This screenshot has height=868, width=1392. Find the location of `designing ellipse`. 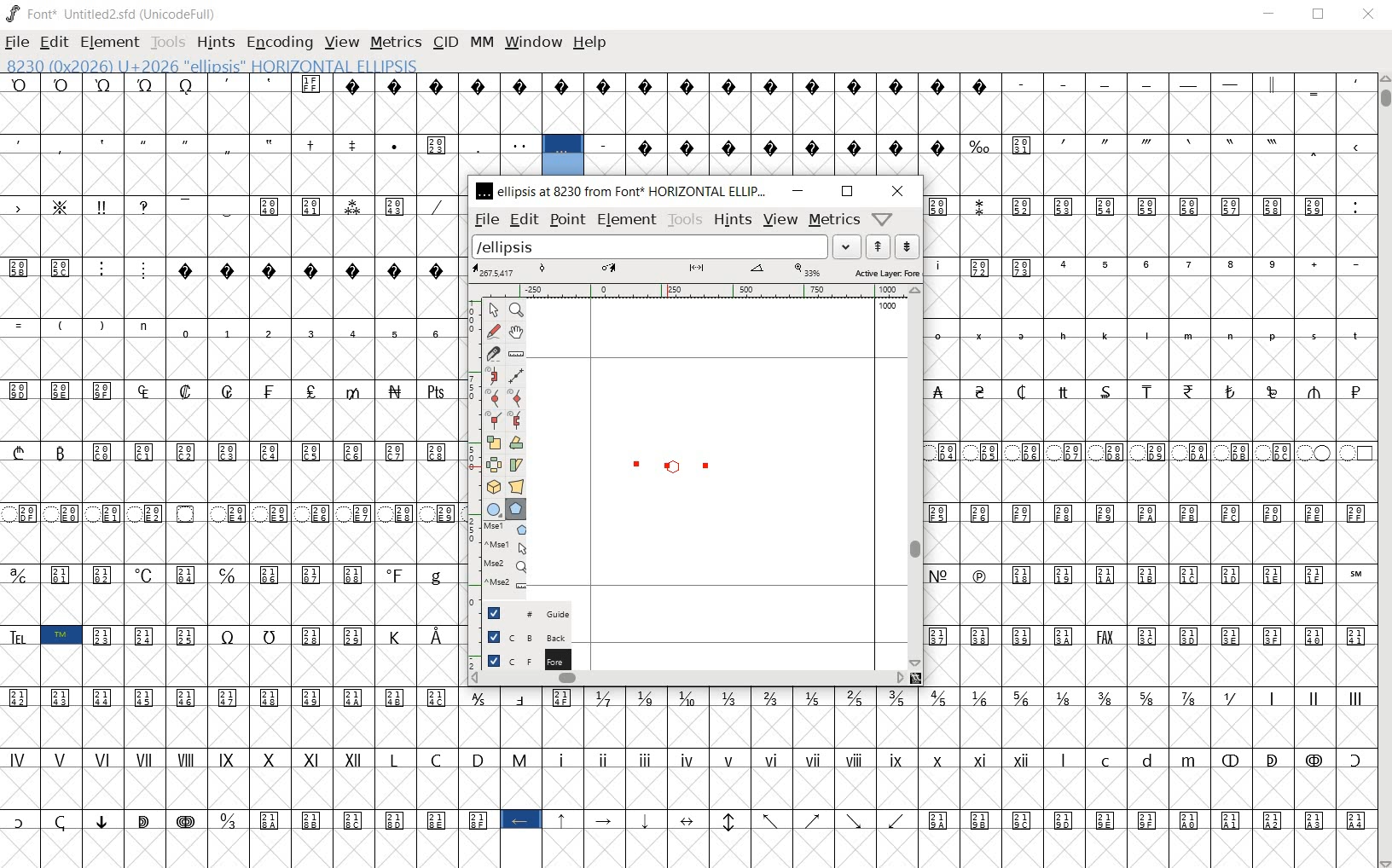

designing ellipse is located at coordinates (664, 469).